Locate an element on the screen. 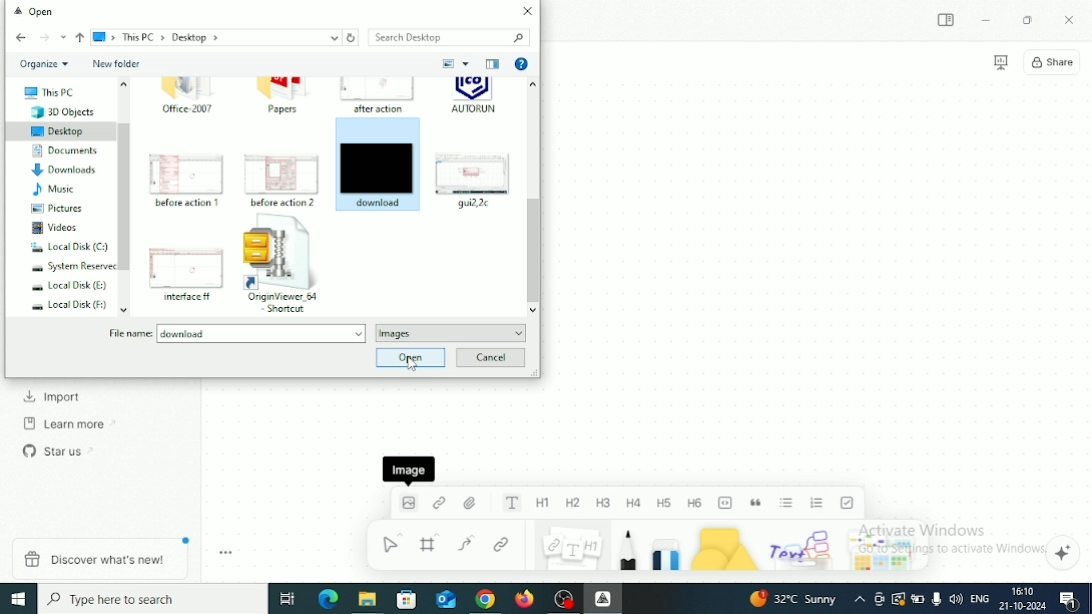  Date is located at coordinates (1023, 606).